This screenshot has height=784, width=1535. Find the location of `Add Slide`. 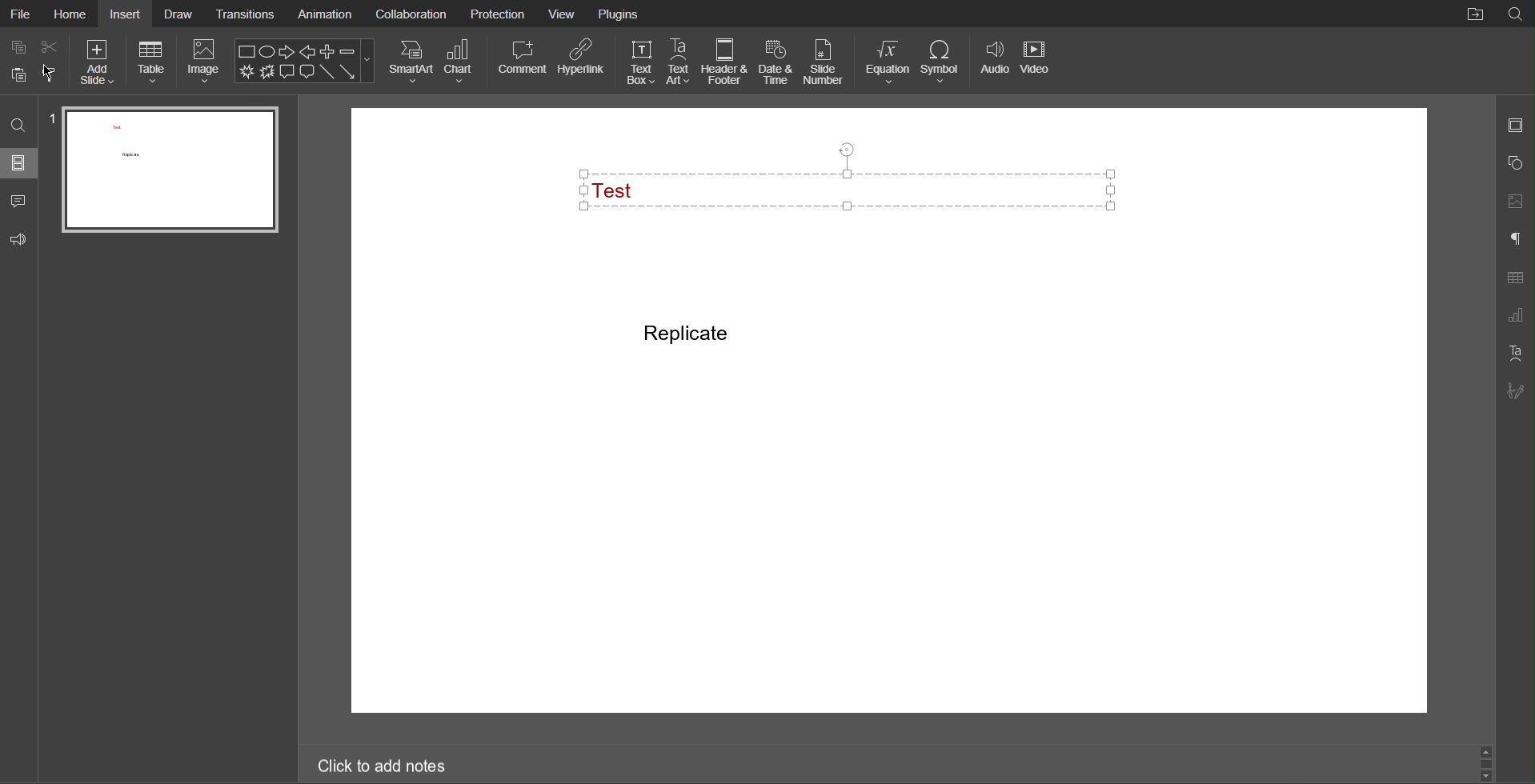

Add Slide is located at coordinates (98, 62).